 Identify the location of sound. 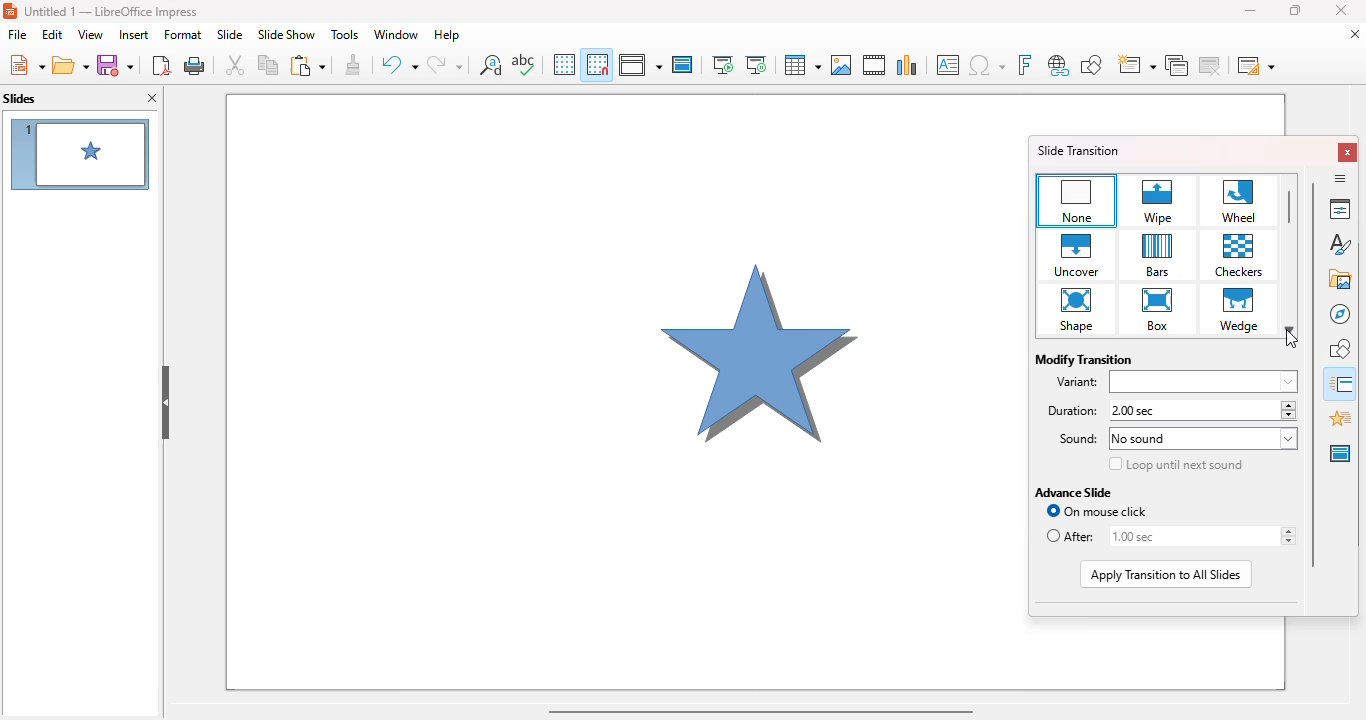
(1071, 440).